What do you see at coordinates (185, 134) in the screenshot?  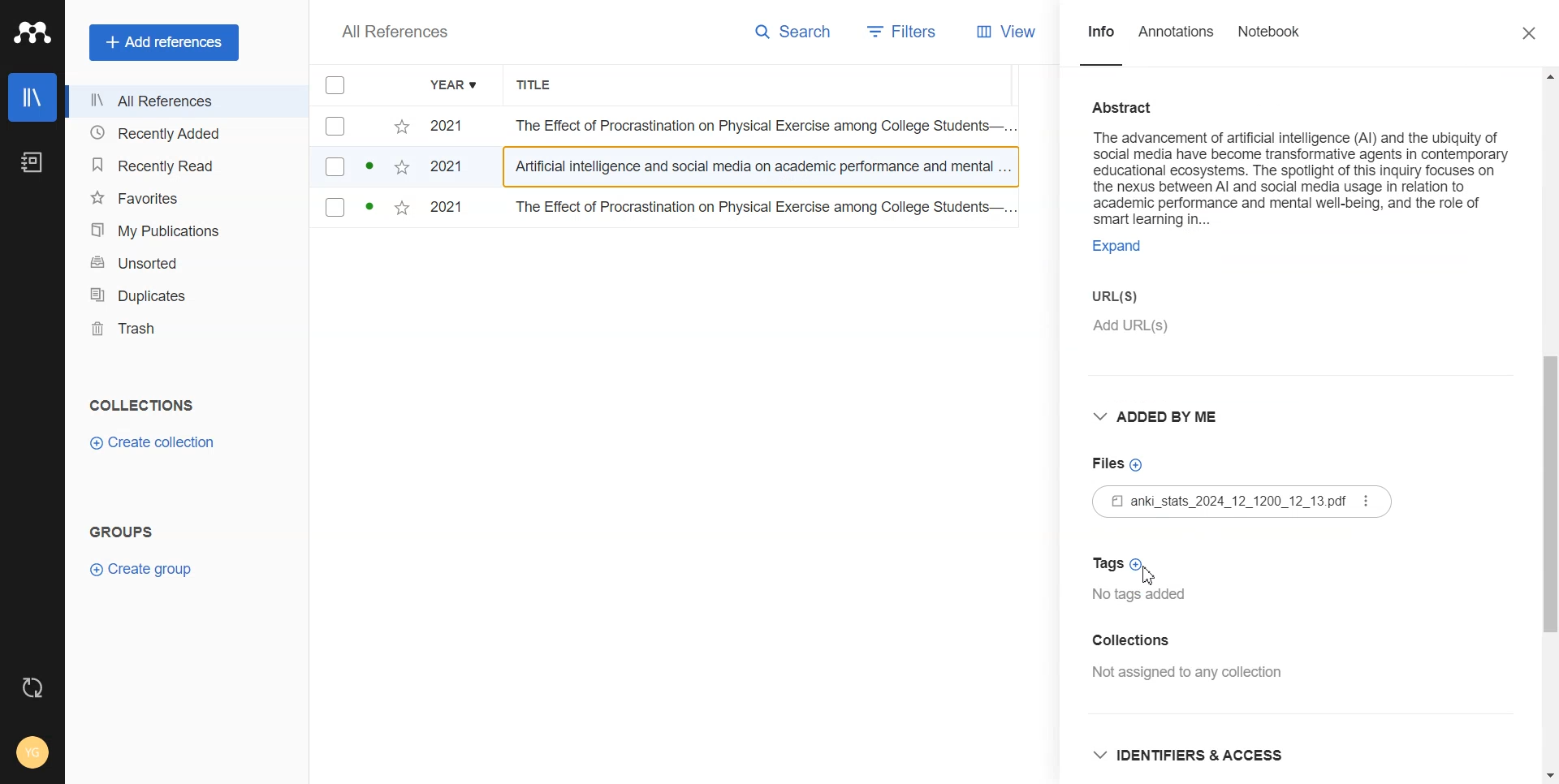 I see `Recently added` at bounding box center [185, 134].